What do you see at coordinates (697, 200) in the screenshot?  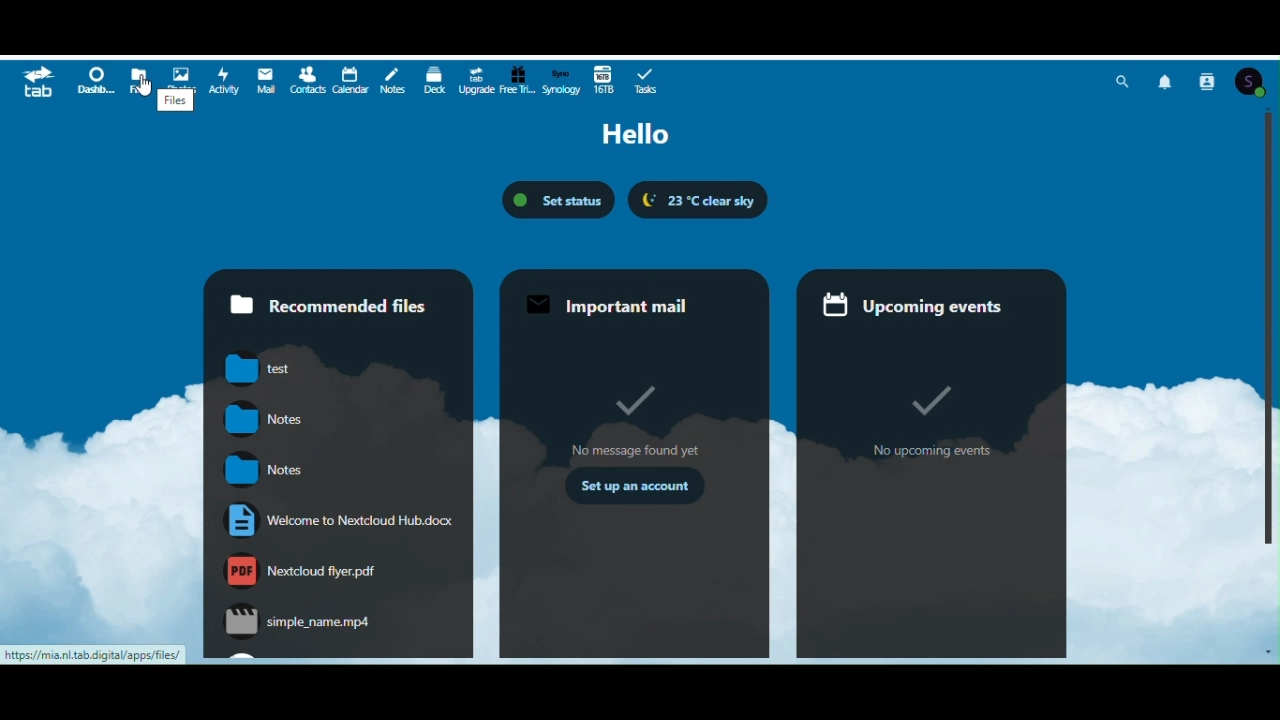 I see `Weather` at bounding box center [697, 200].